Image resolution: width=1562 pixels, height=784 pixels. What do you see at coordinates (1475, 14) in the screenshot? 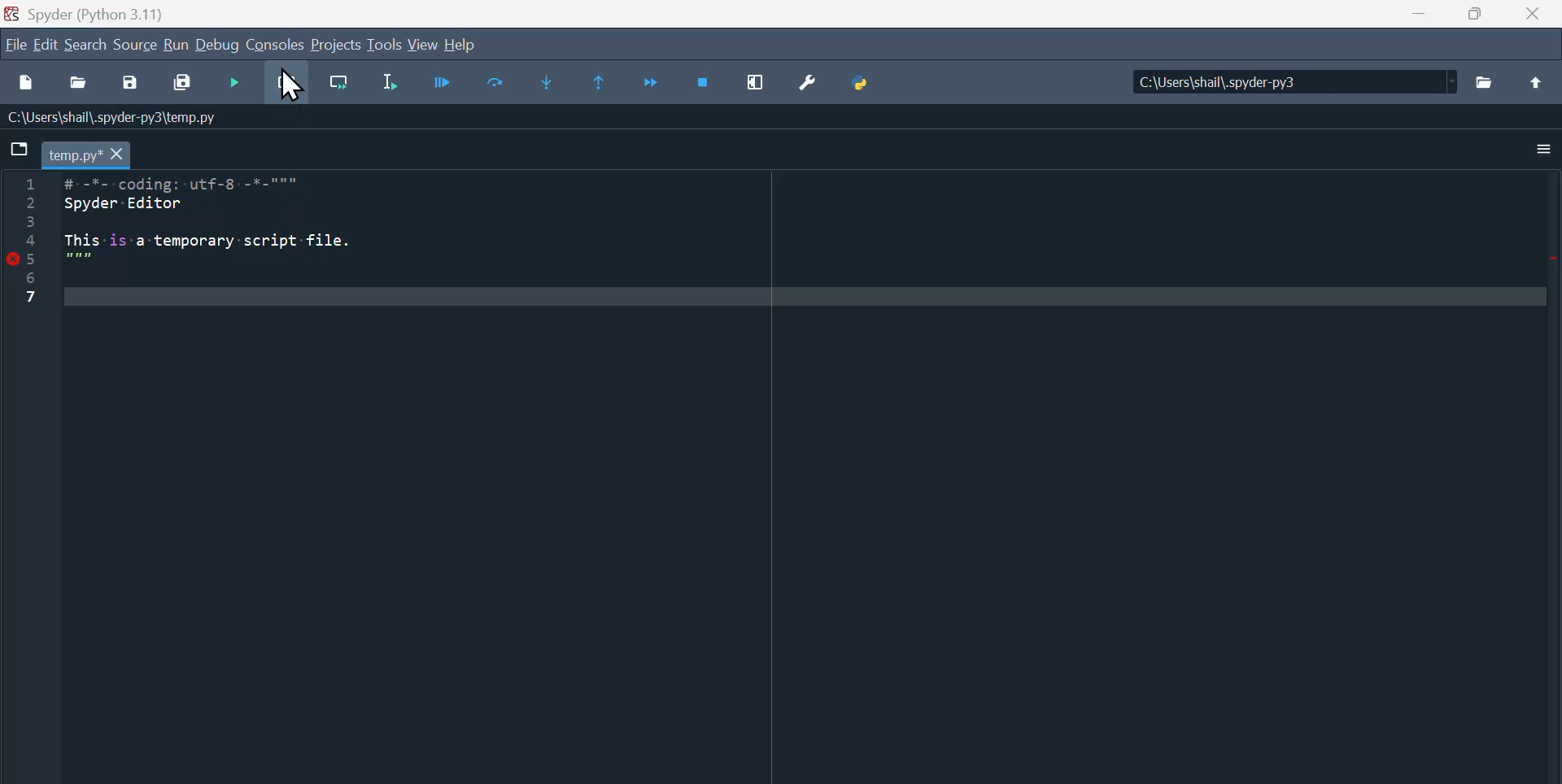
I see `maximize` at bounding box center [1475, 14].